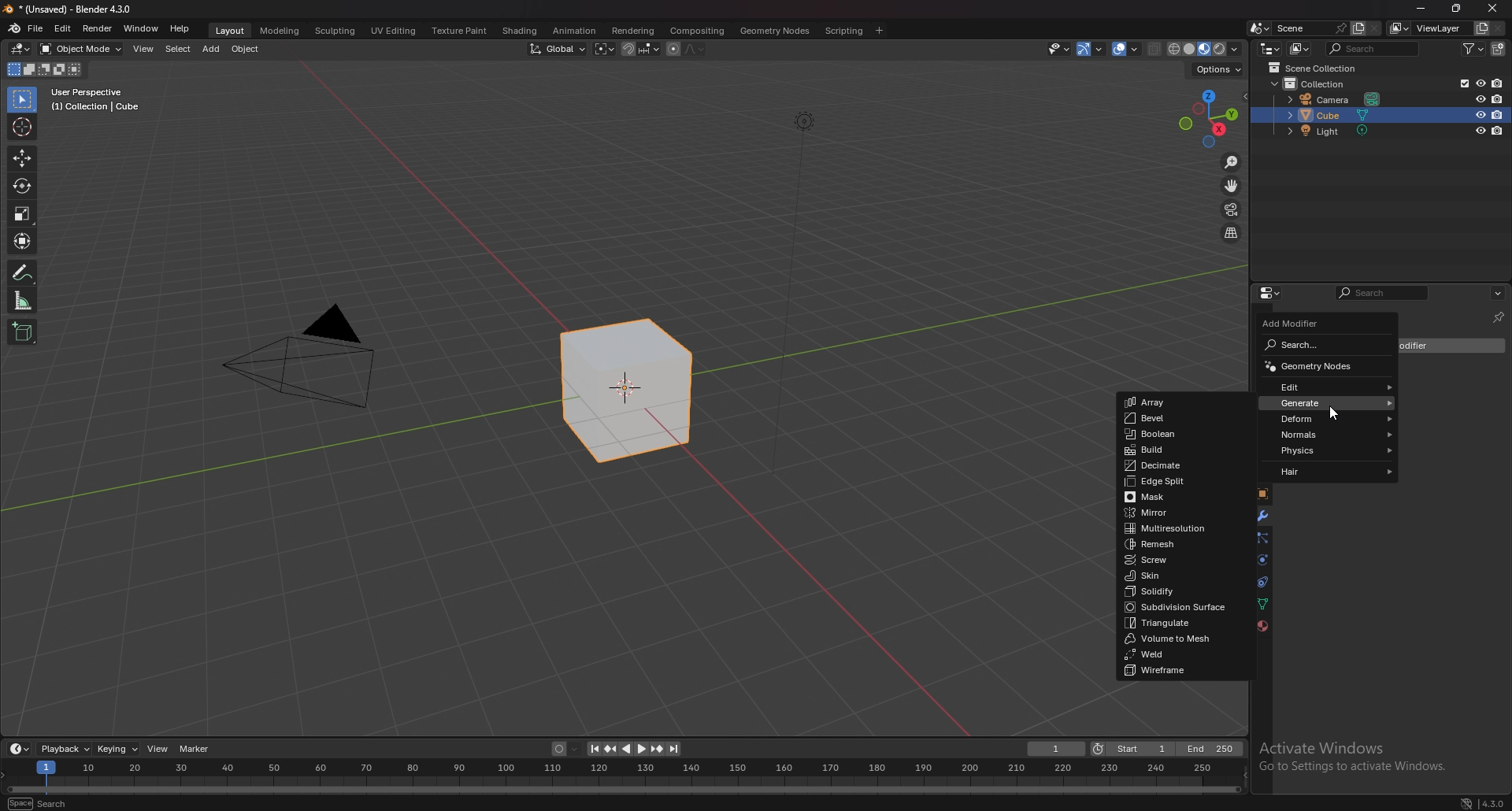  What do you see at coordinates (1058, 49) in the screenshot?
I see `visiblity and selectibility` at bounding box center [1058, 49].